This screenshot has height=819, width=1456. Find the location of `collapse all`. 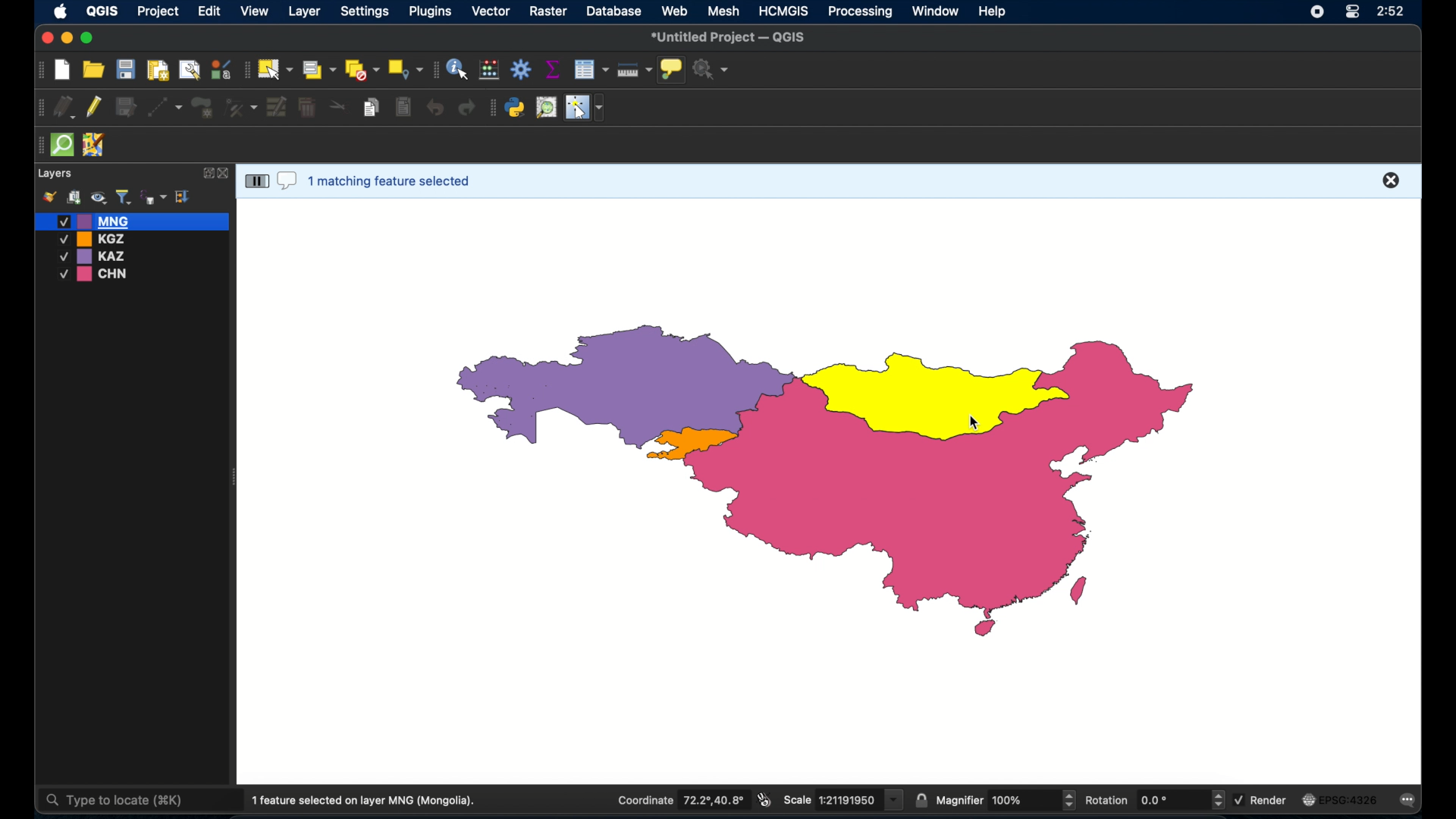

collapse all is located at coordinates (184, 196).